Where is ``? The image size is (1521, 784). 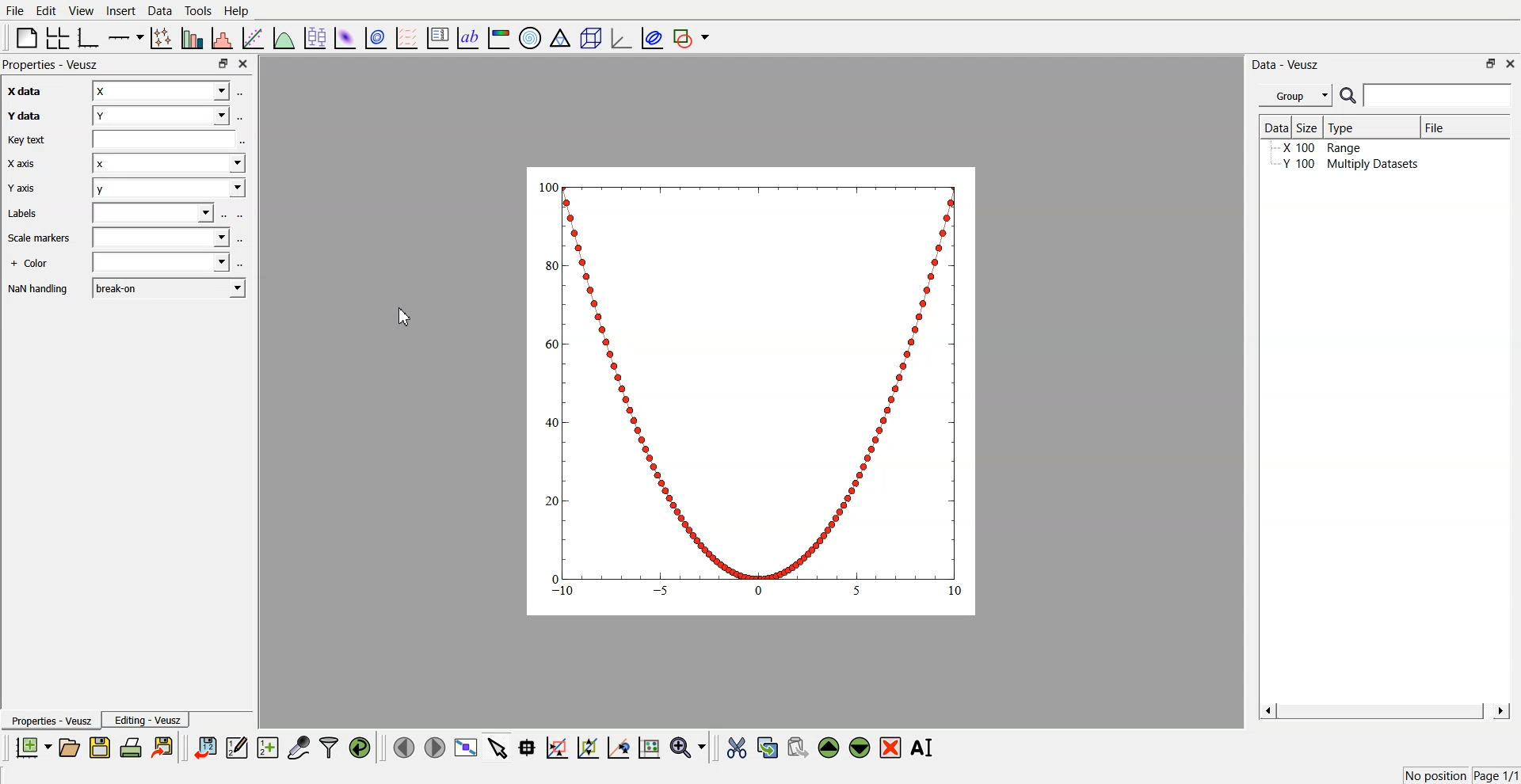
 is located at coordinates (1295, 96).